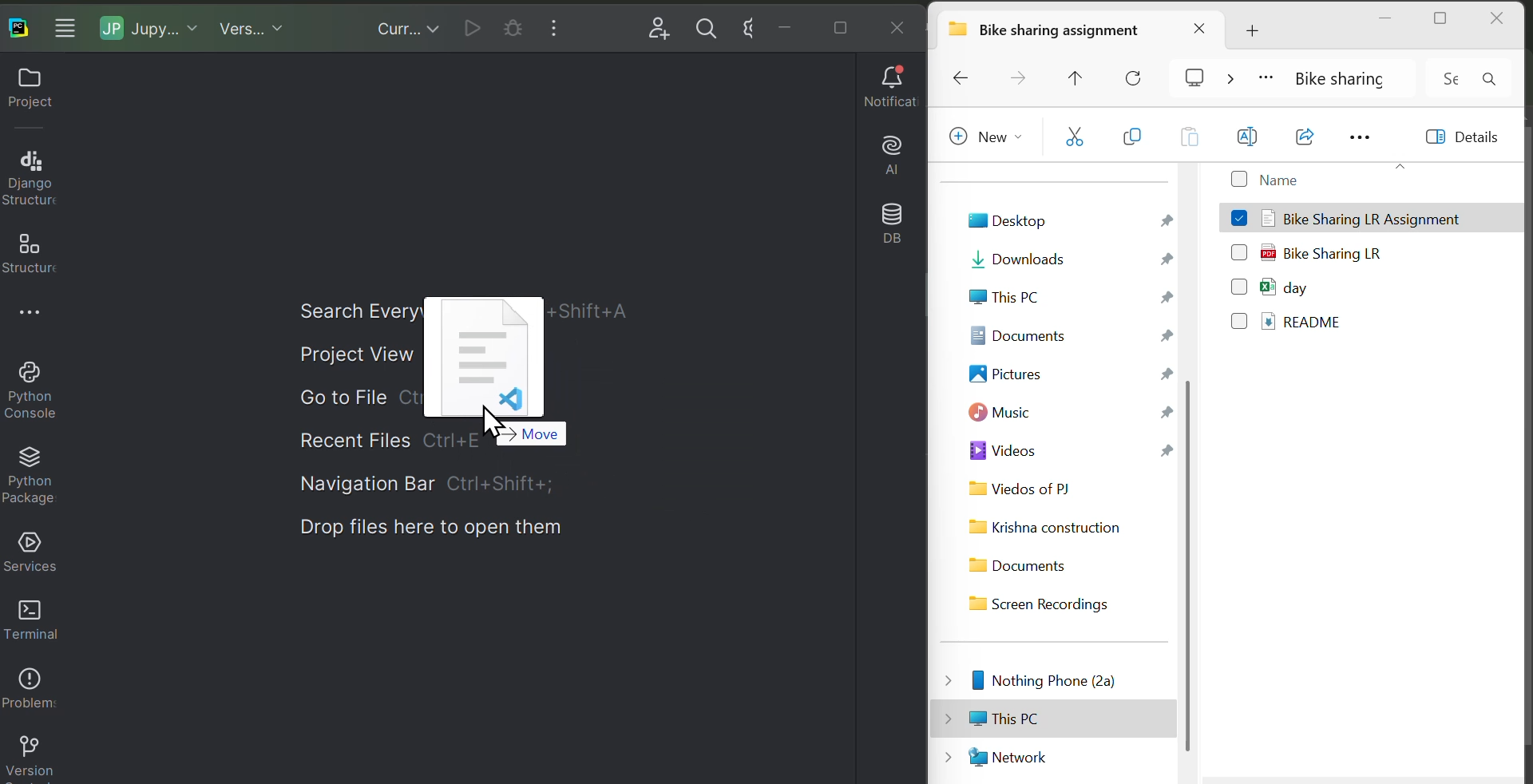 Image resolution: width=1533 pixels, height=784 pixels. I want to click on Paste, so click(1188, 140).